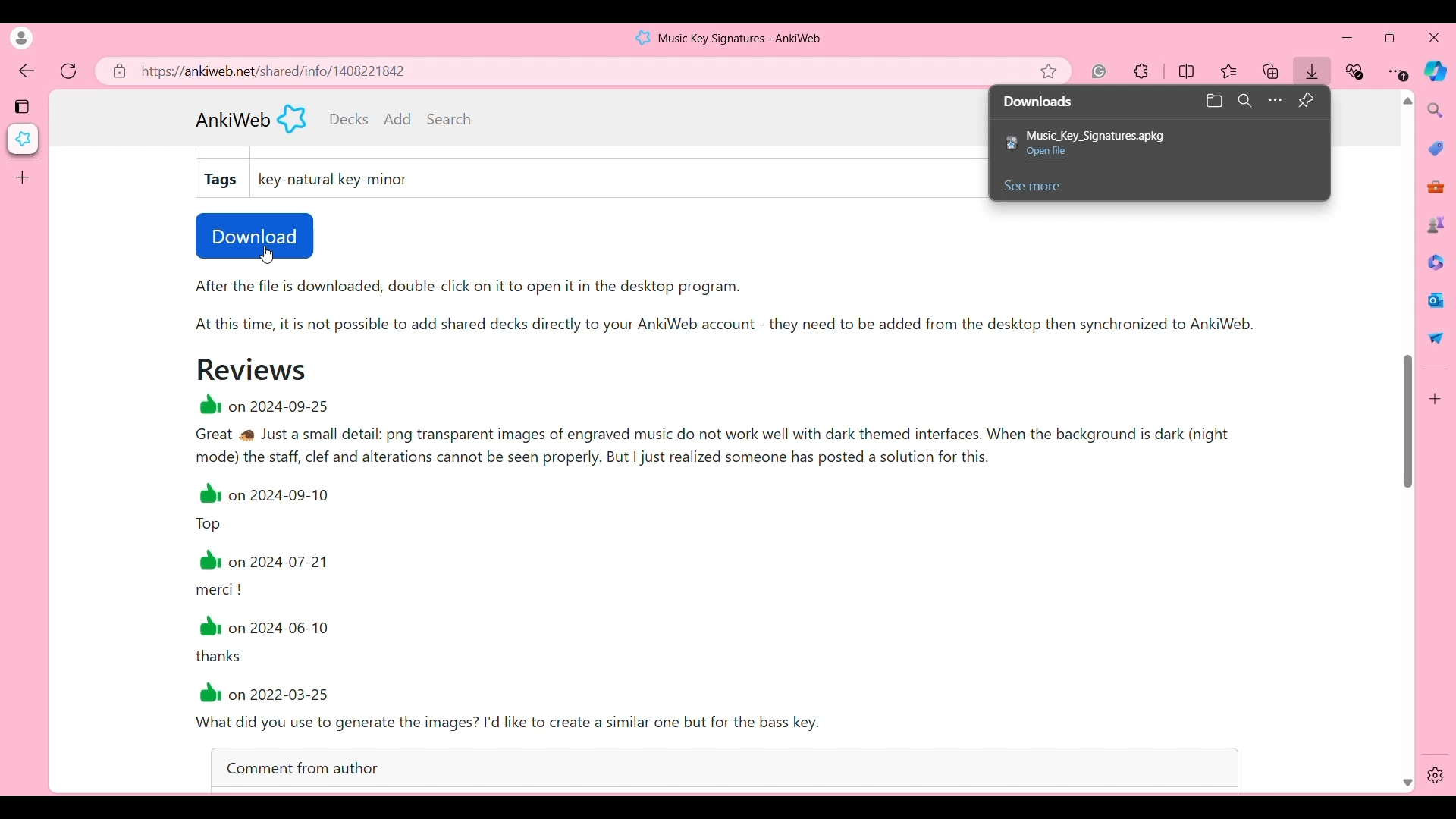 The height and width of the screenshot is (819, 1456). I want to click on More options, so click(1274, 101).